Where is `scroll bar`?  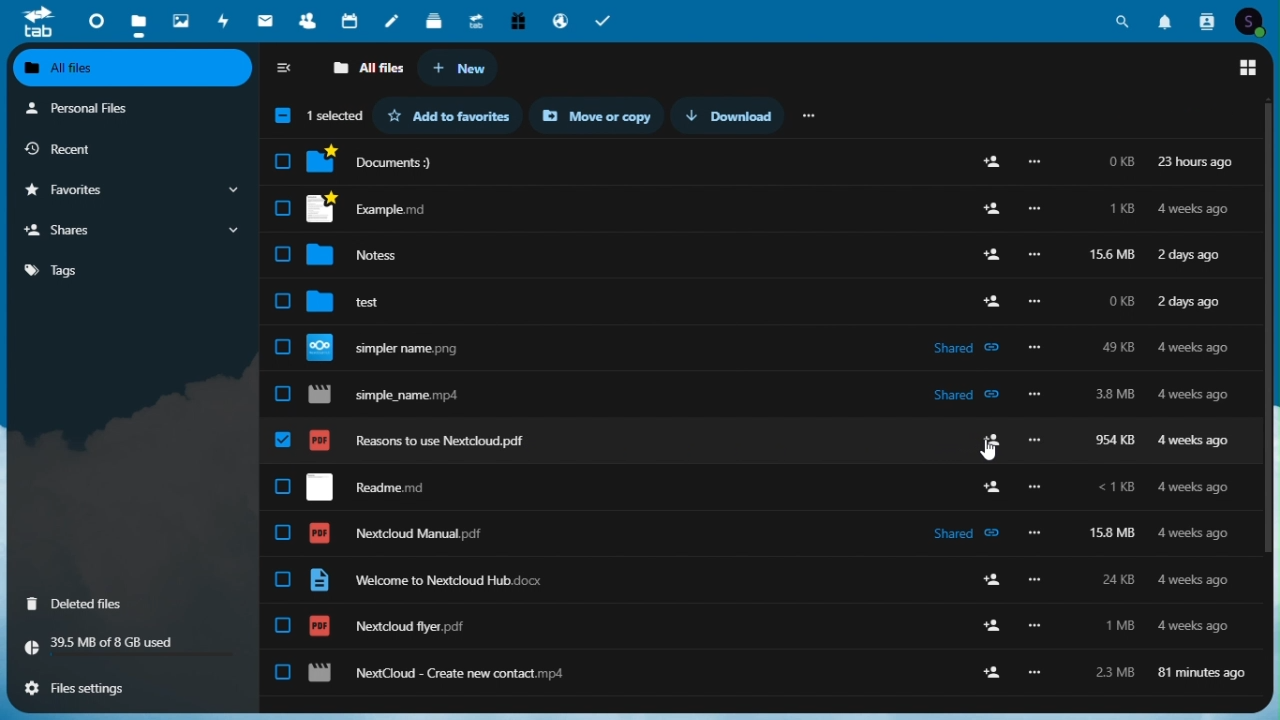
scroll bar is located at coordinates (1272, 327).